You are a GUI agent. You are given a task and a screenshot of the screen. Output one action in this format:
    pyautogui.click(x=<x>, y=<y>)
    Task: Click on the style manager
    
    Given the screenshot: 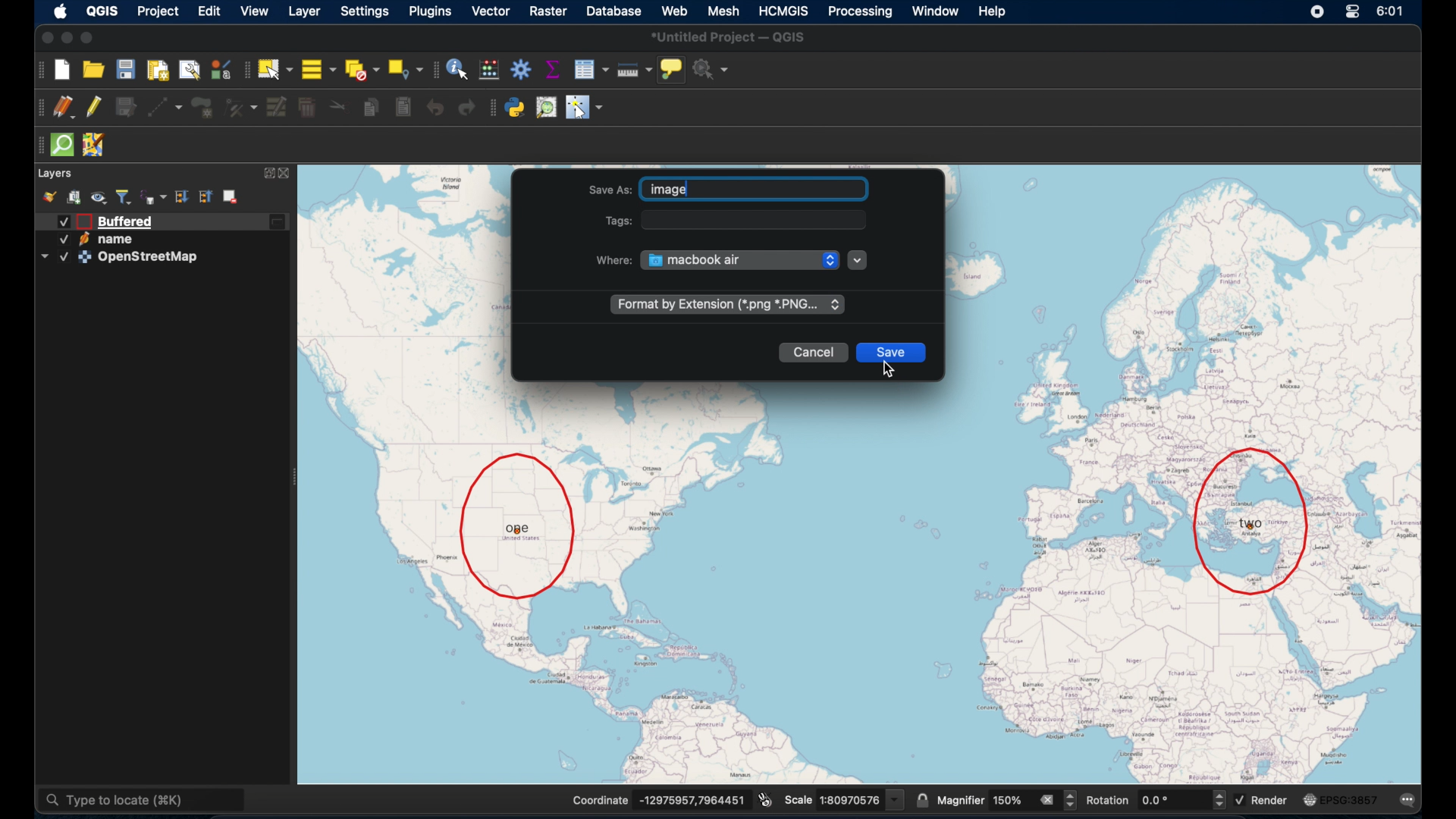 What is the action you would take?
    pyautogui.click(x=220, y=69)
    